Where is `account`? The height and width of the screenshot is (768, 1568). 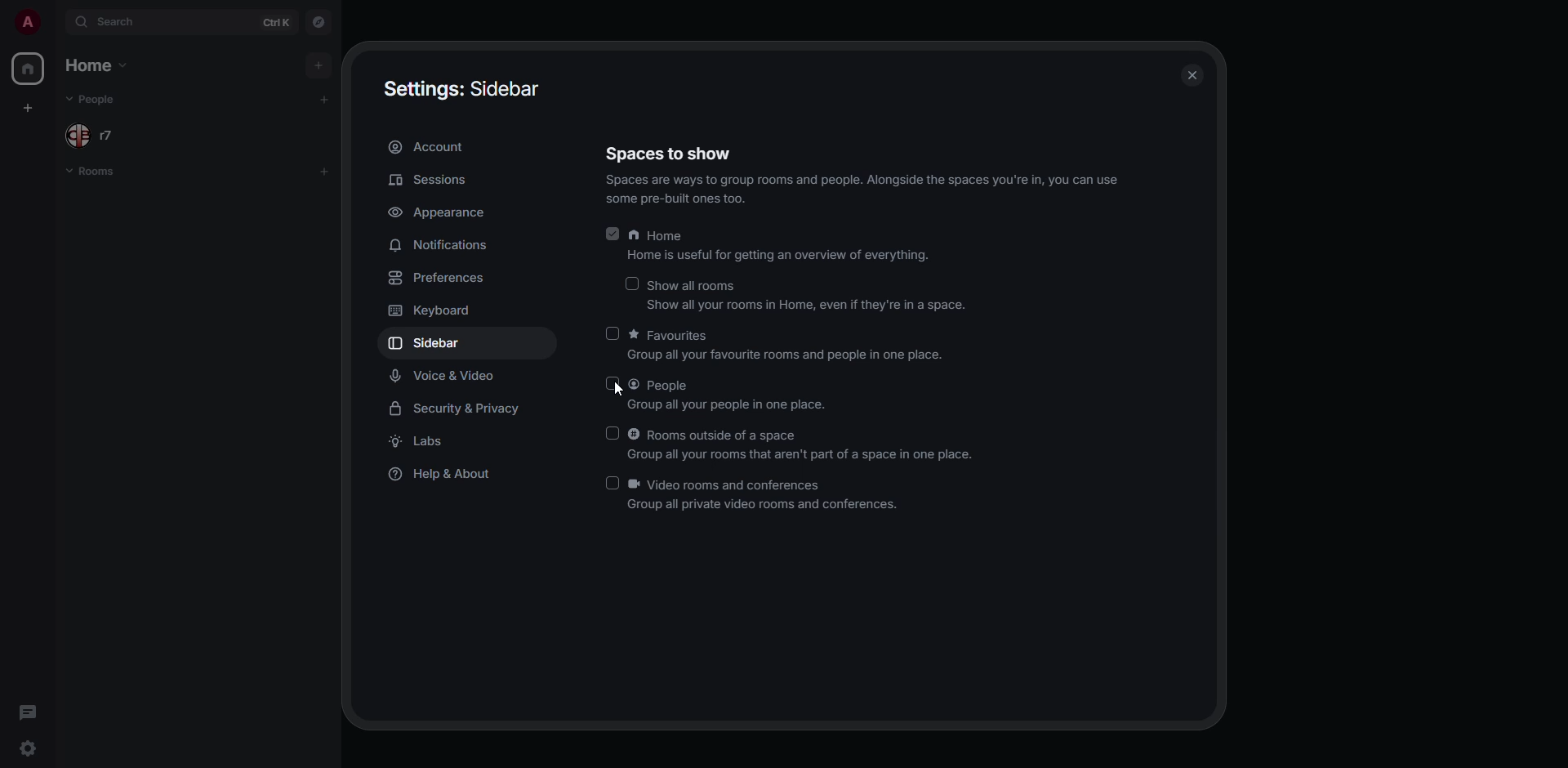
account is located at coordinates (430, 145).